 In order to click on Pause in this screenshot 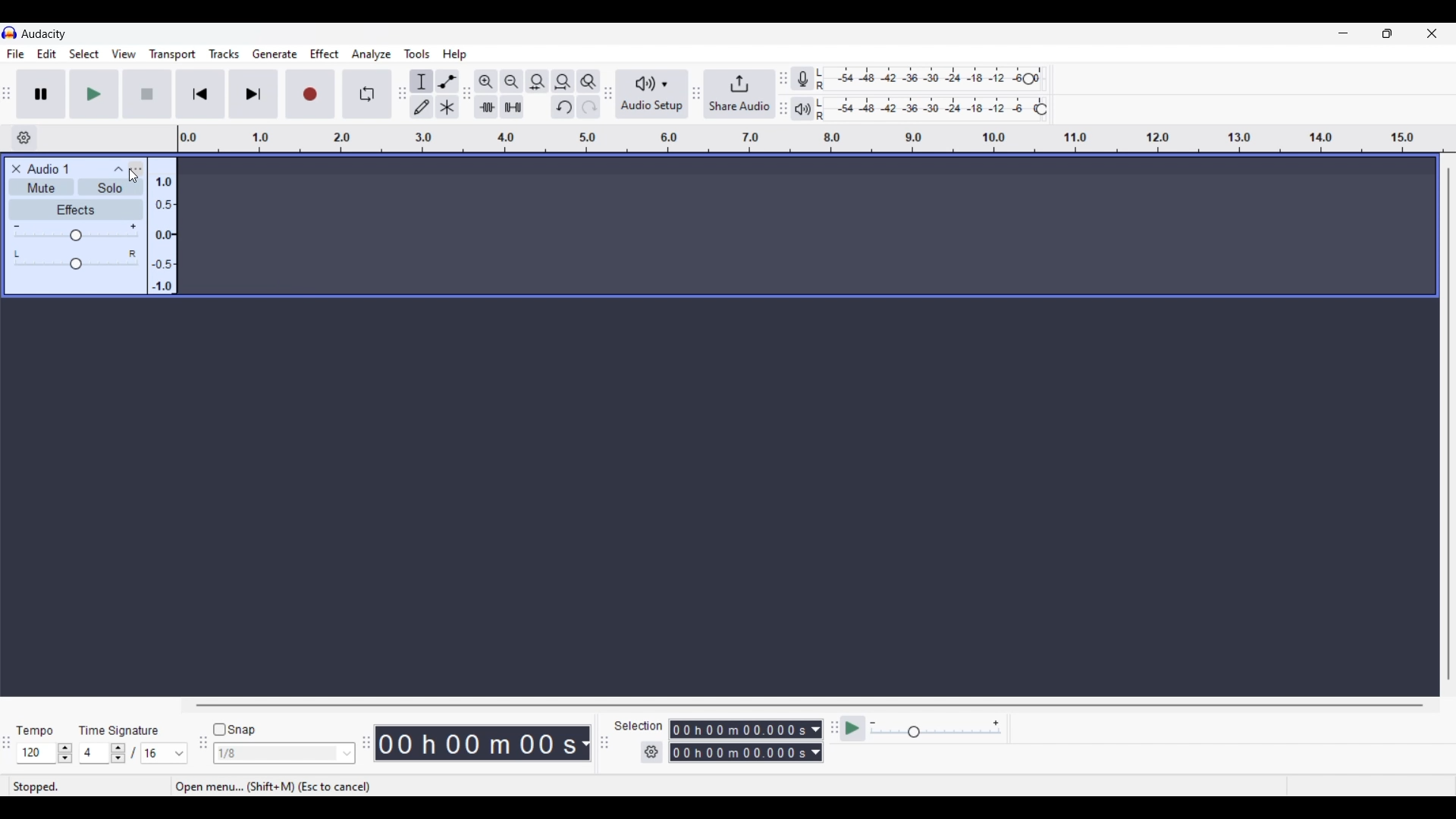, I will do `click(41, 93)`.